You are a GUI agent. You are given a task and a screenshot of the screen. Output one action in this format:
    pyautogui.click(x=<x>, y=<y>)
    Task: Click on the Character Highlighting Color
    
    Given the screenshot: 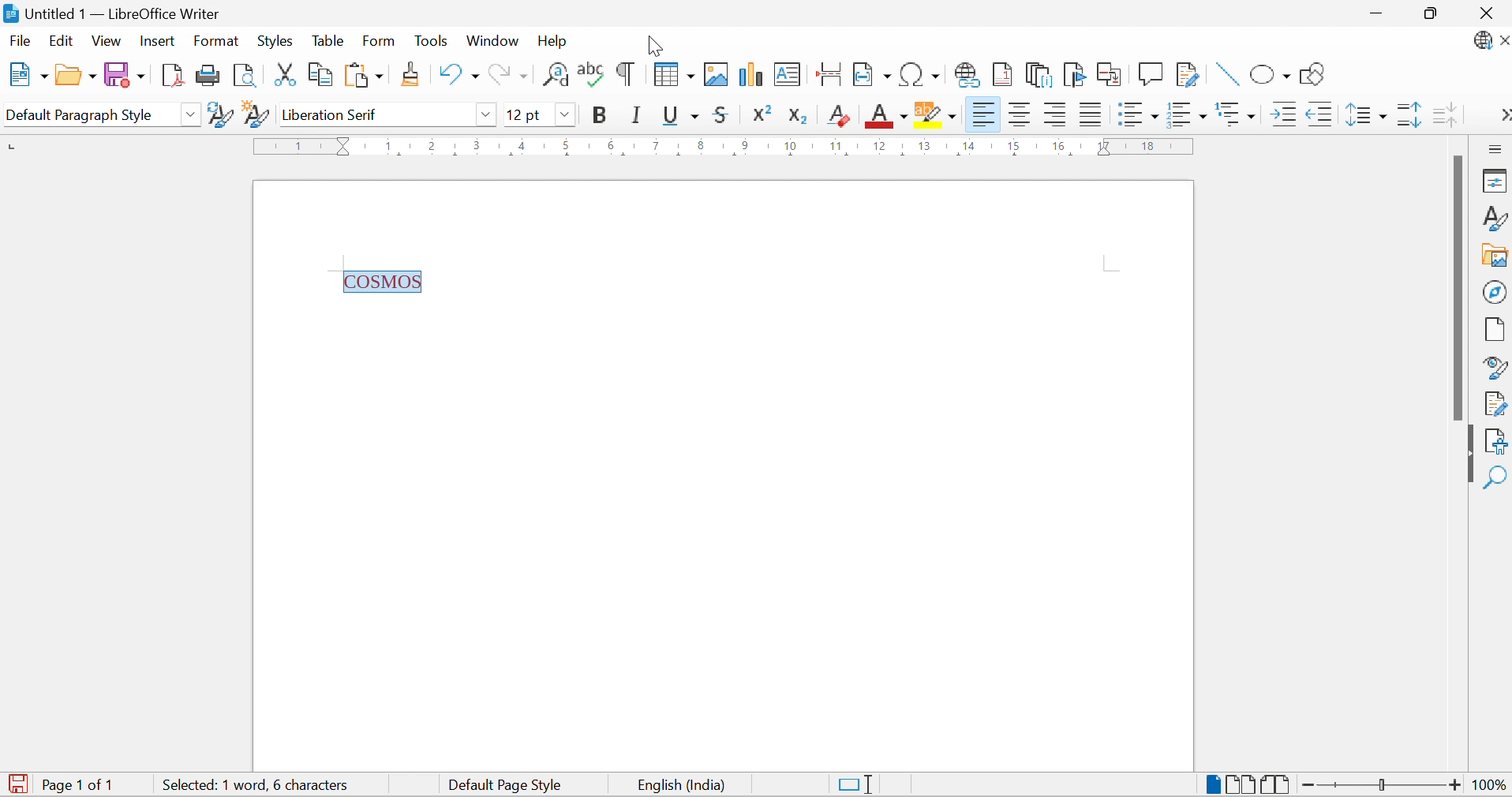 What is the action you would take?
    pyautogui.click(x=937, y=113)
    